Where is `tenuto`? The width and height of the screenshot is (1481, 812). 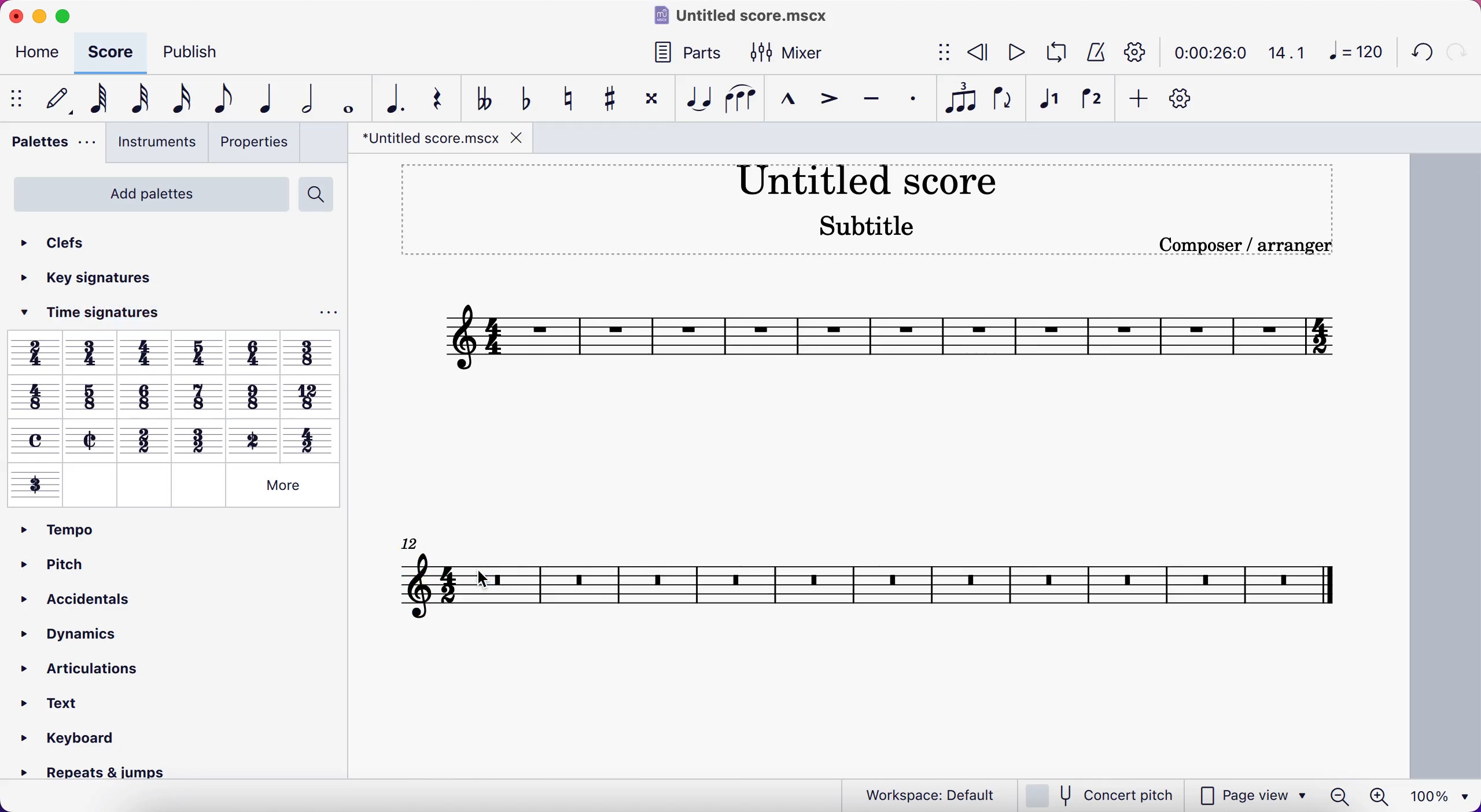 tenuto is located at coordinates (867, 98).